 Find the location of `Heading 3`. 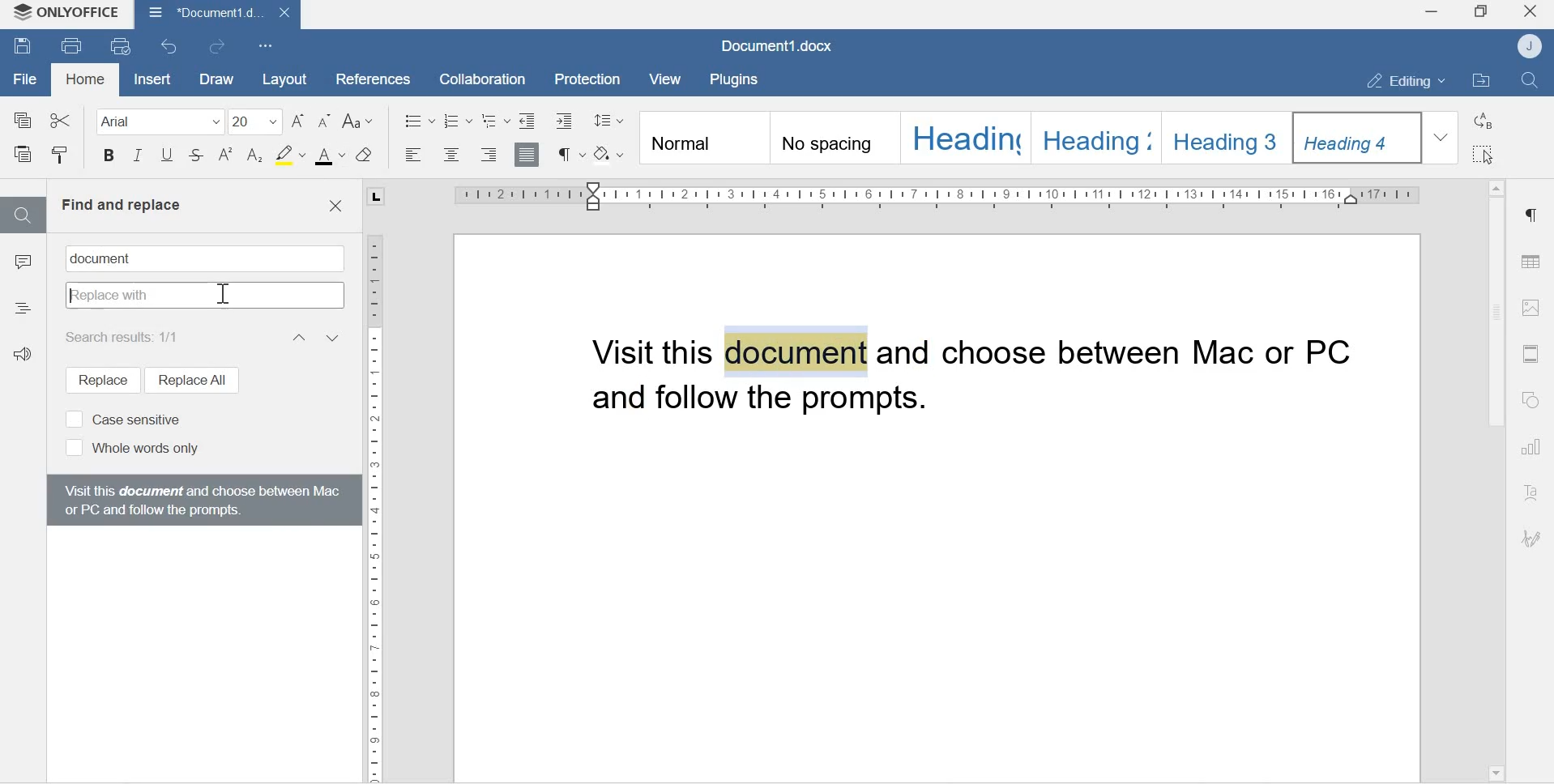

Heading 3 is located at coordinates (1229, 135).